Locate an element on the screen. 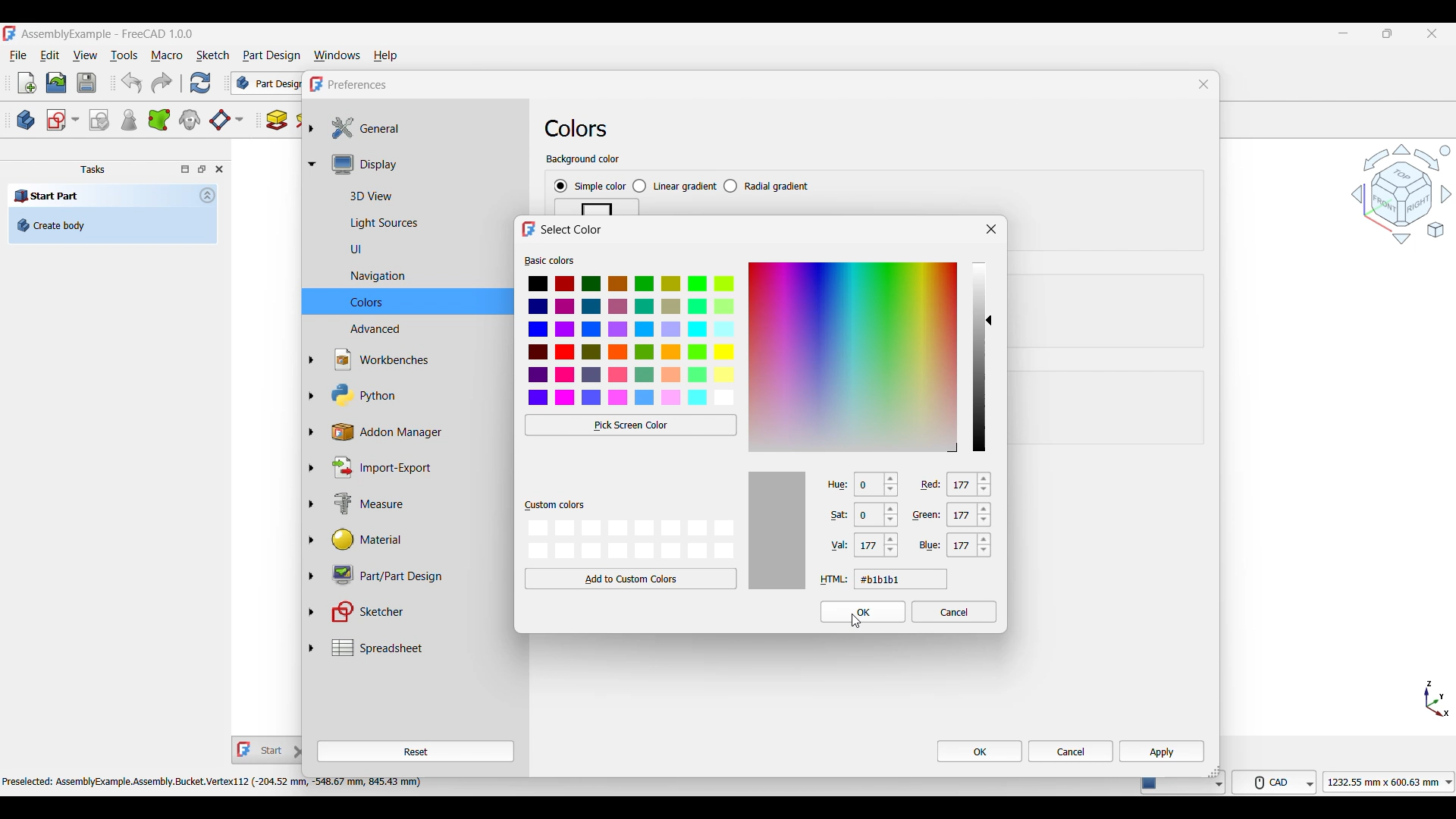 Image resolution: width=1456 pixels, height=819 pixels. Linear gradient toggle is located at coordinates (674, 187).